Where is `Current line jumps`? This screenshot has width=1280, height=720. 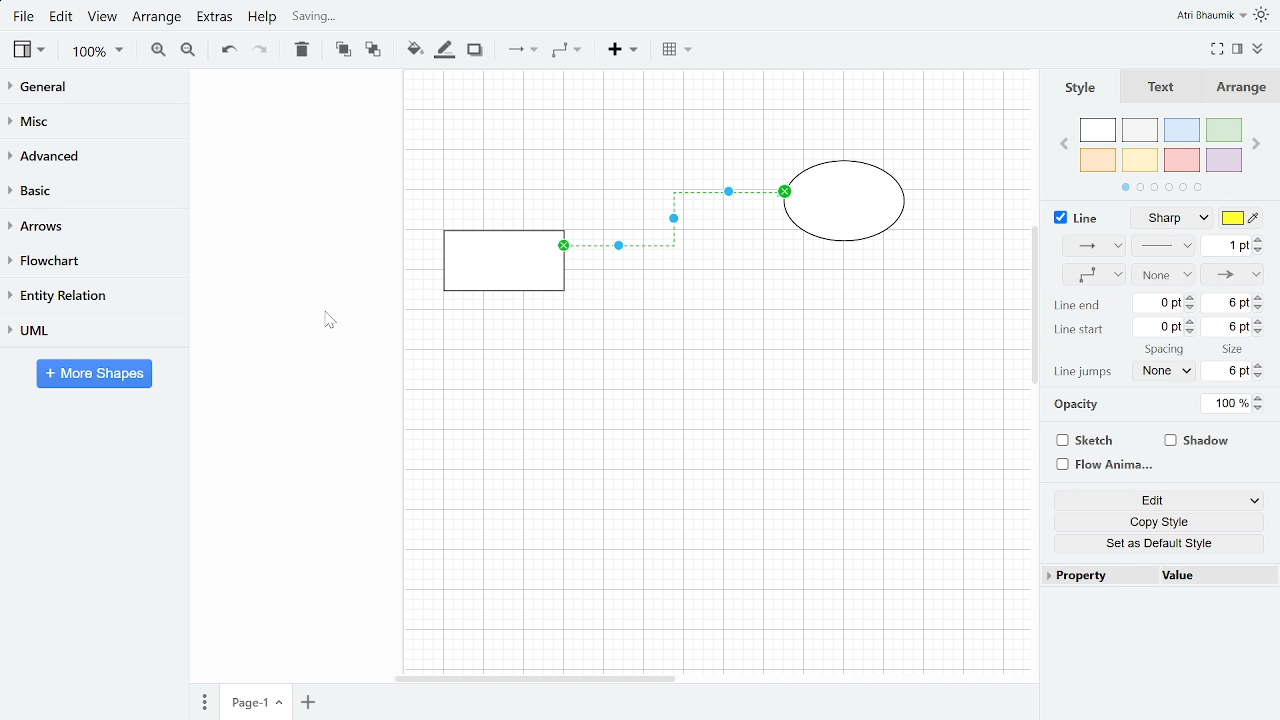 Current line jumps is located at coordinates (1163, 371).